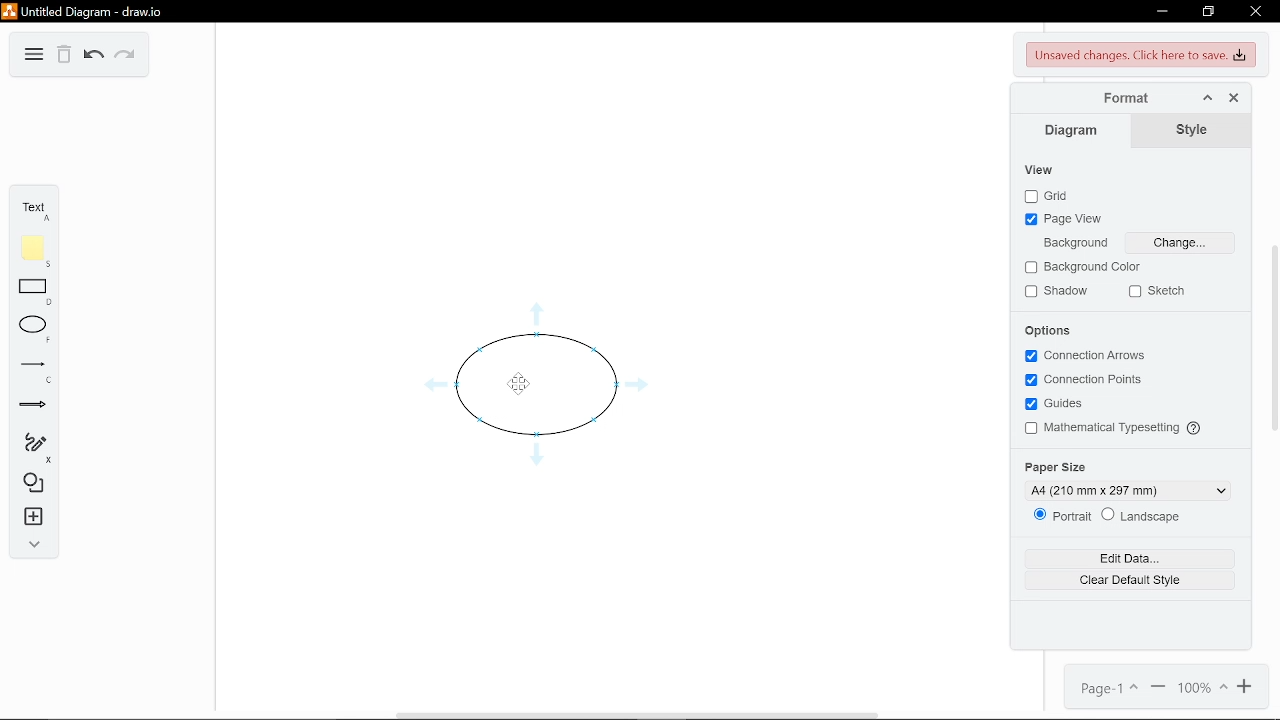 Image resolution: width=1280 pixels, height=720 pixels. I want to click on Redo, so click(126, 57).